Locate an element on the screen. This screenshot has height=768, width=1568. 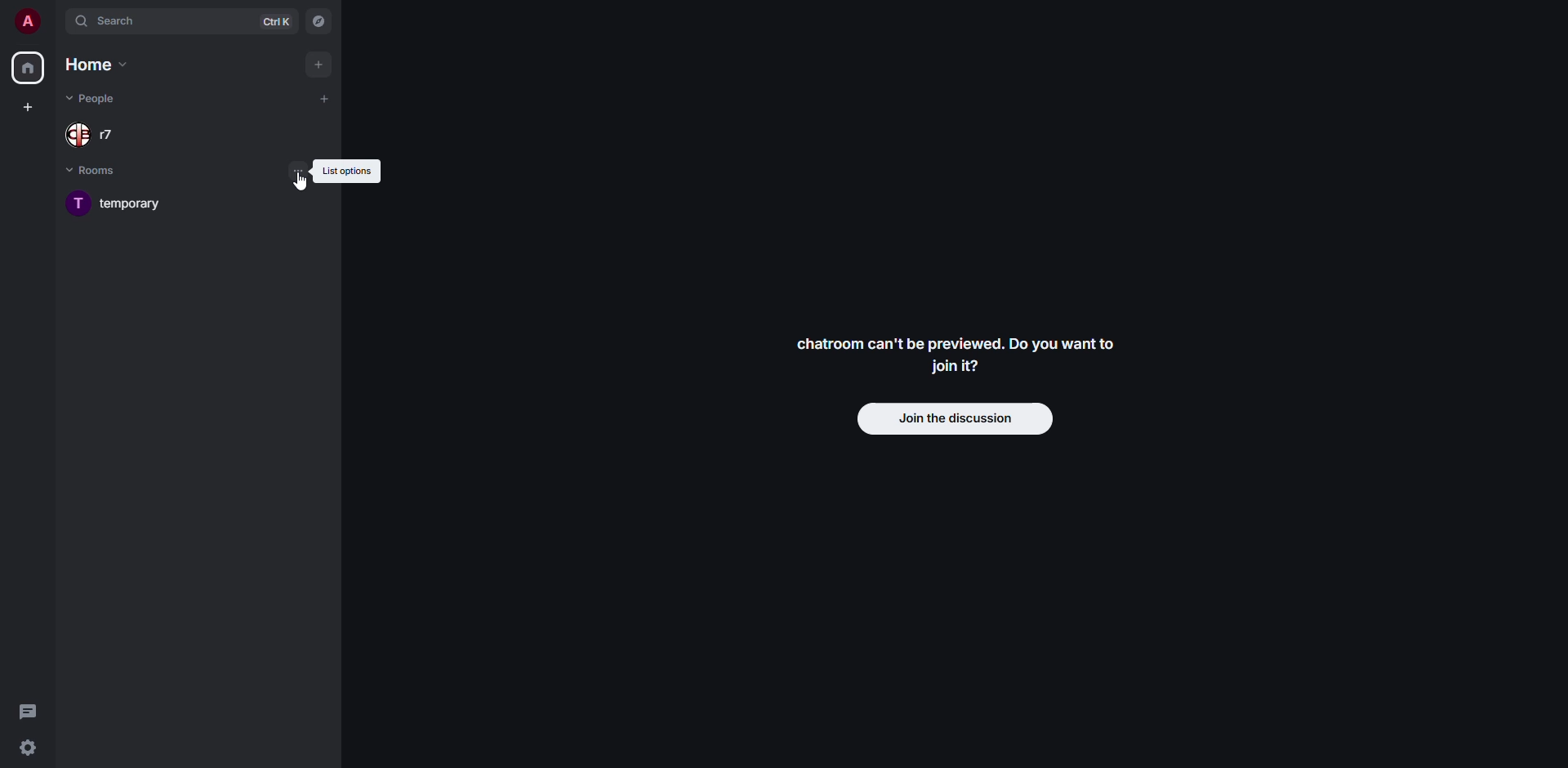
home is located at coordinates (100, 65).